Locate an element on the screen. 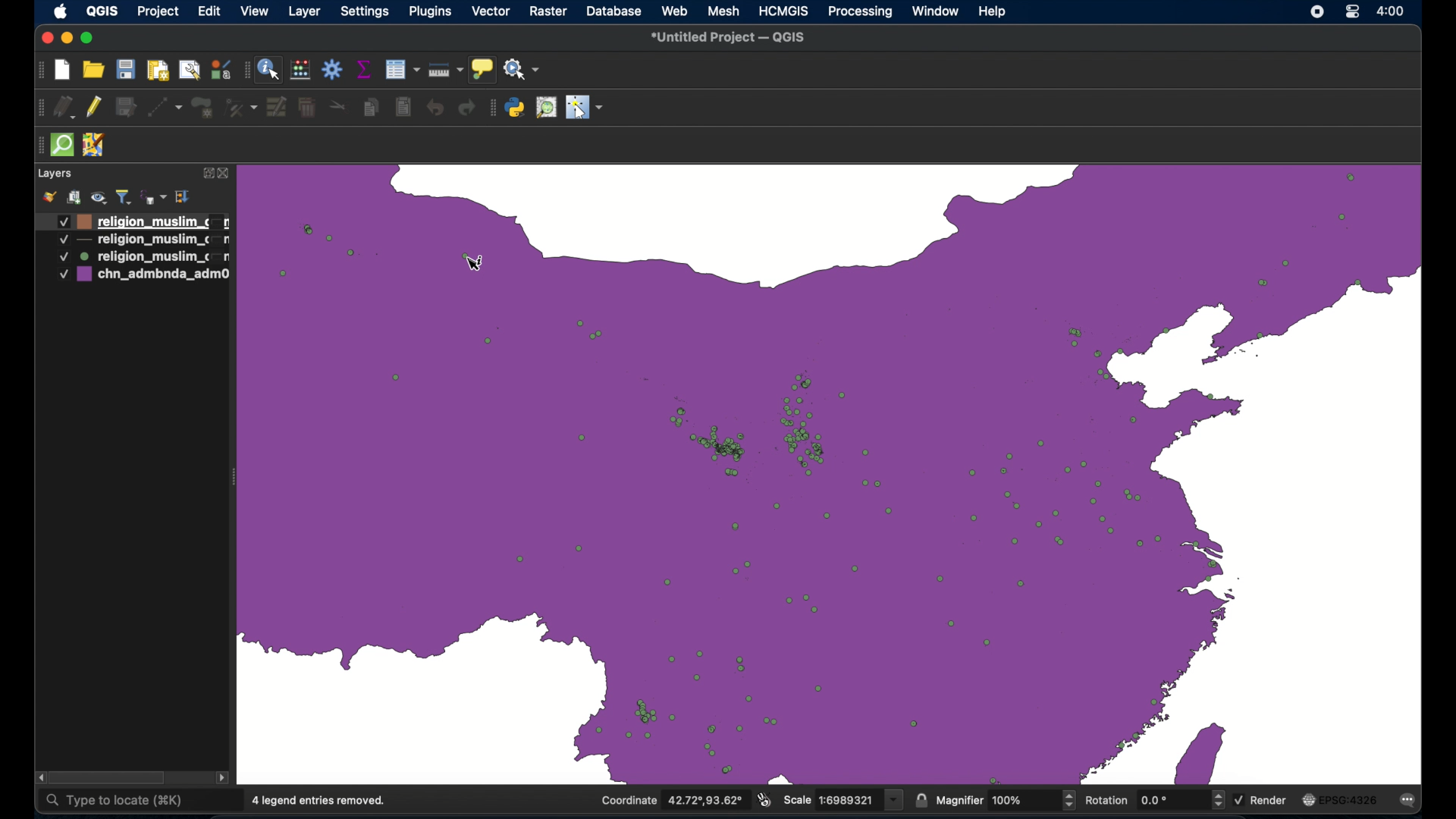  HCMGIS is located at coordinates (783, 11).